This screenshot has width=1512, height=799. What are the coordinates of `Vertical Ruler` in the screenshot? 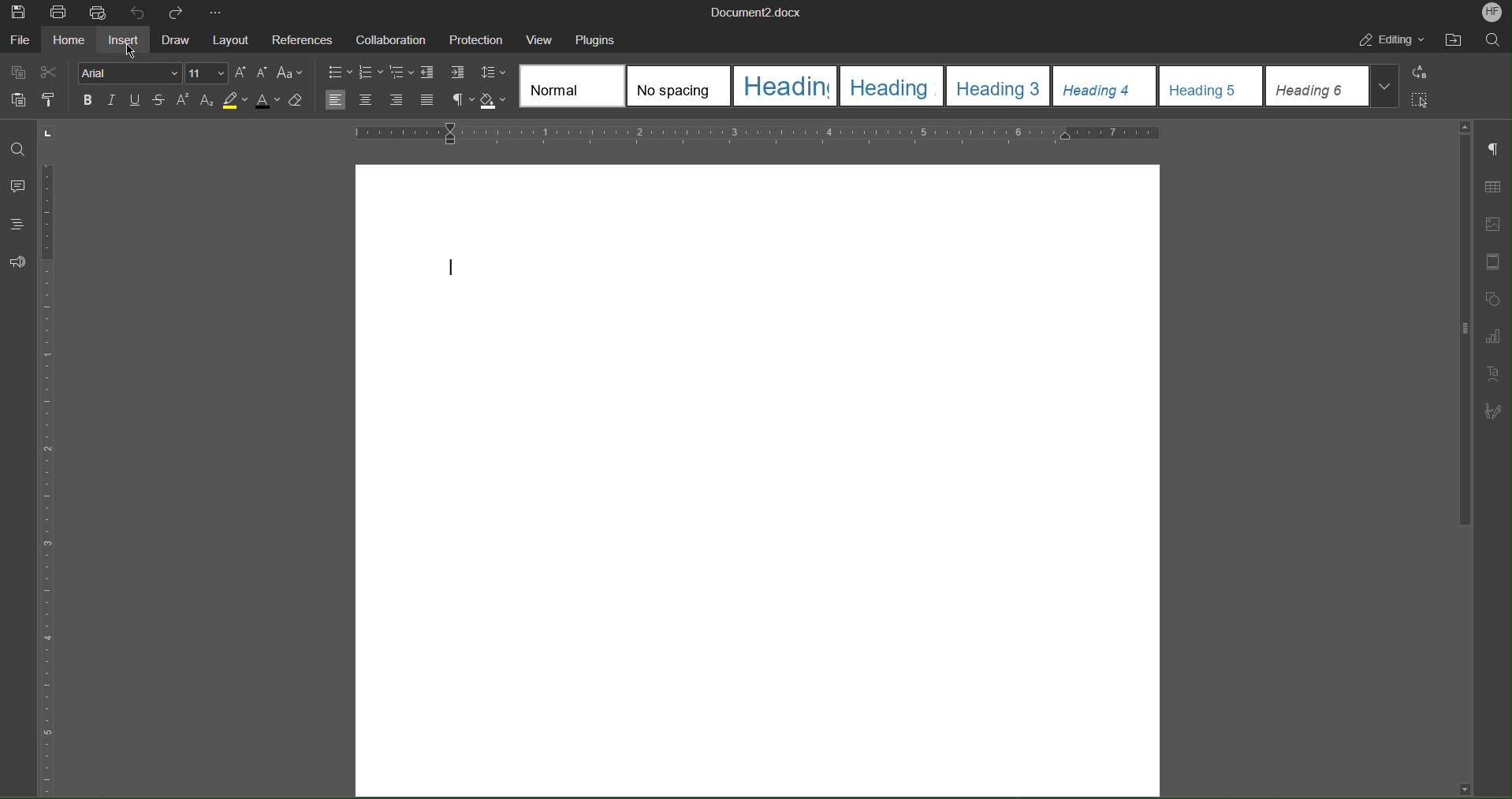 It's located at (50, 474).